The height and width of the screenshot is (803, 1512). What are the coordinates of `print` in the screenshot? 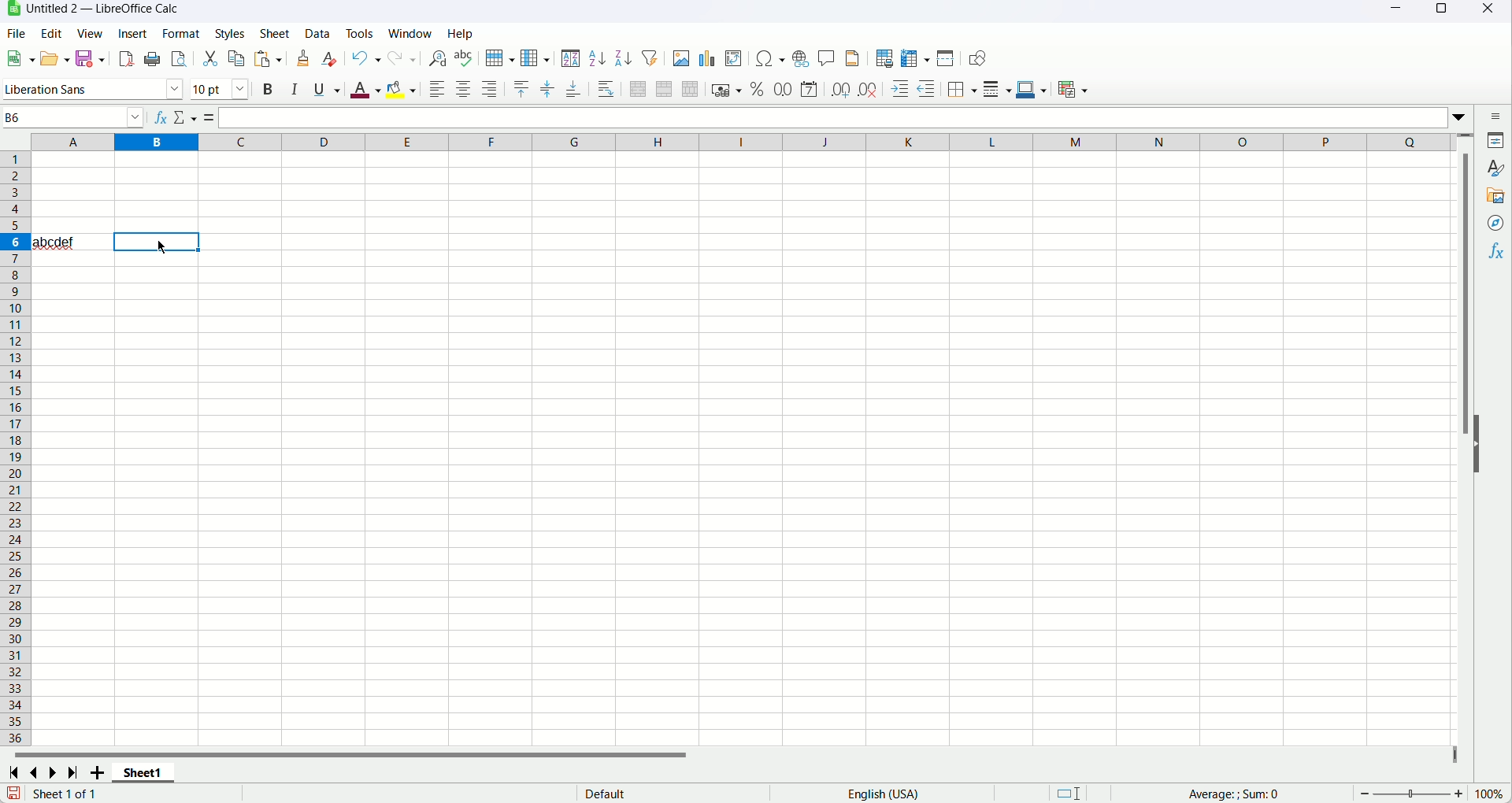 It's located at (153, 58).